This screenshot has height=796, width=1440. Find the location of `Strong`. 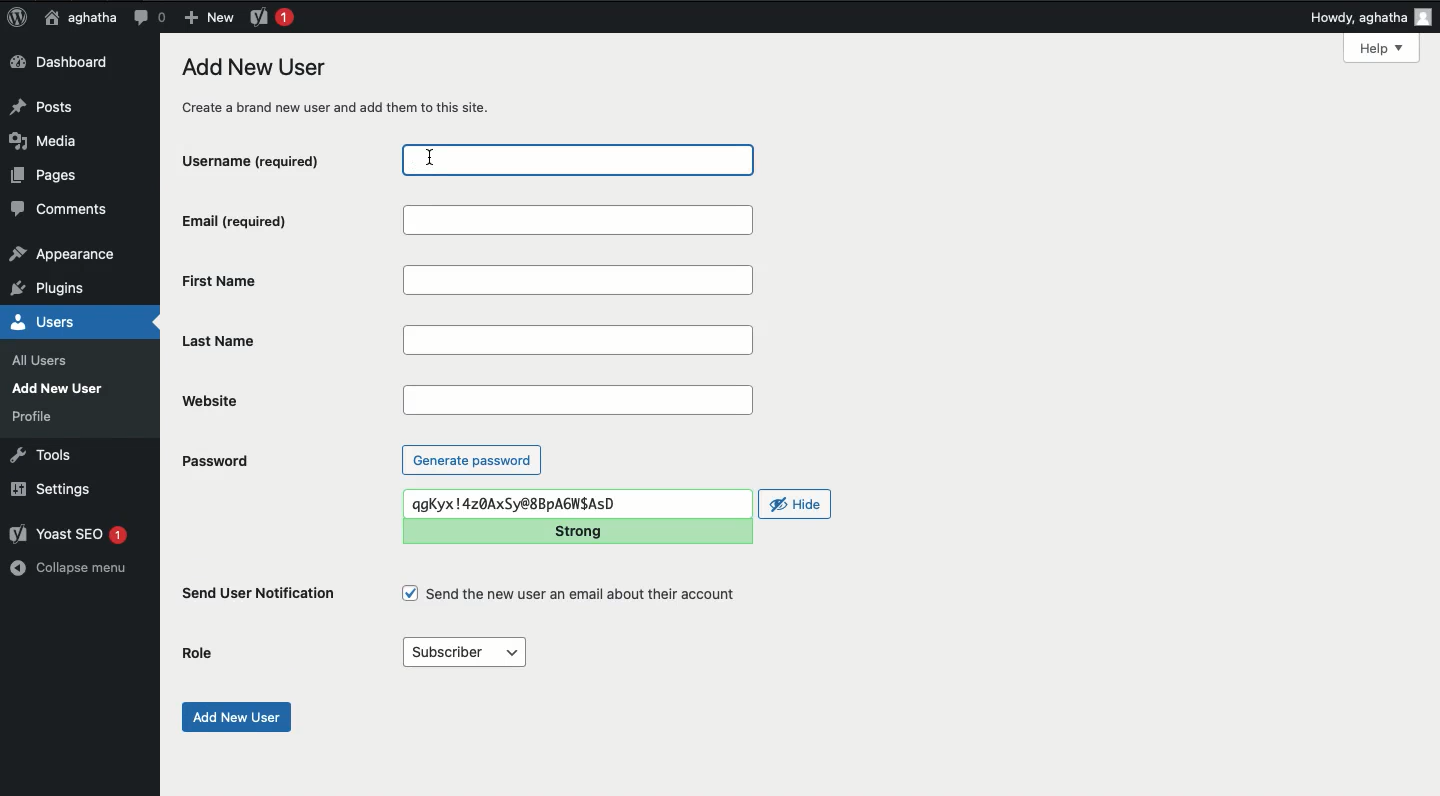

Strong is located at coordinates (575, 534).